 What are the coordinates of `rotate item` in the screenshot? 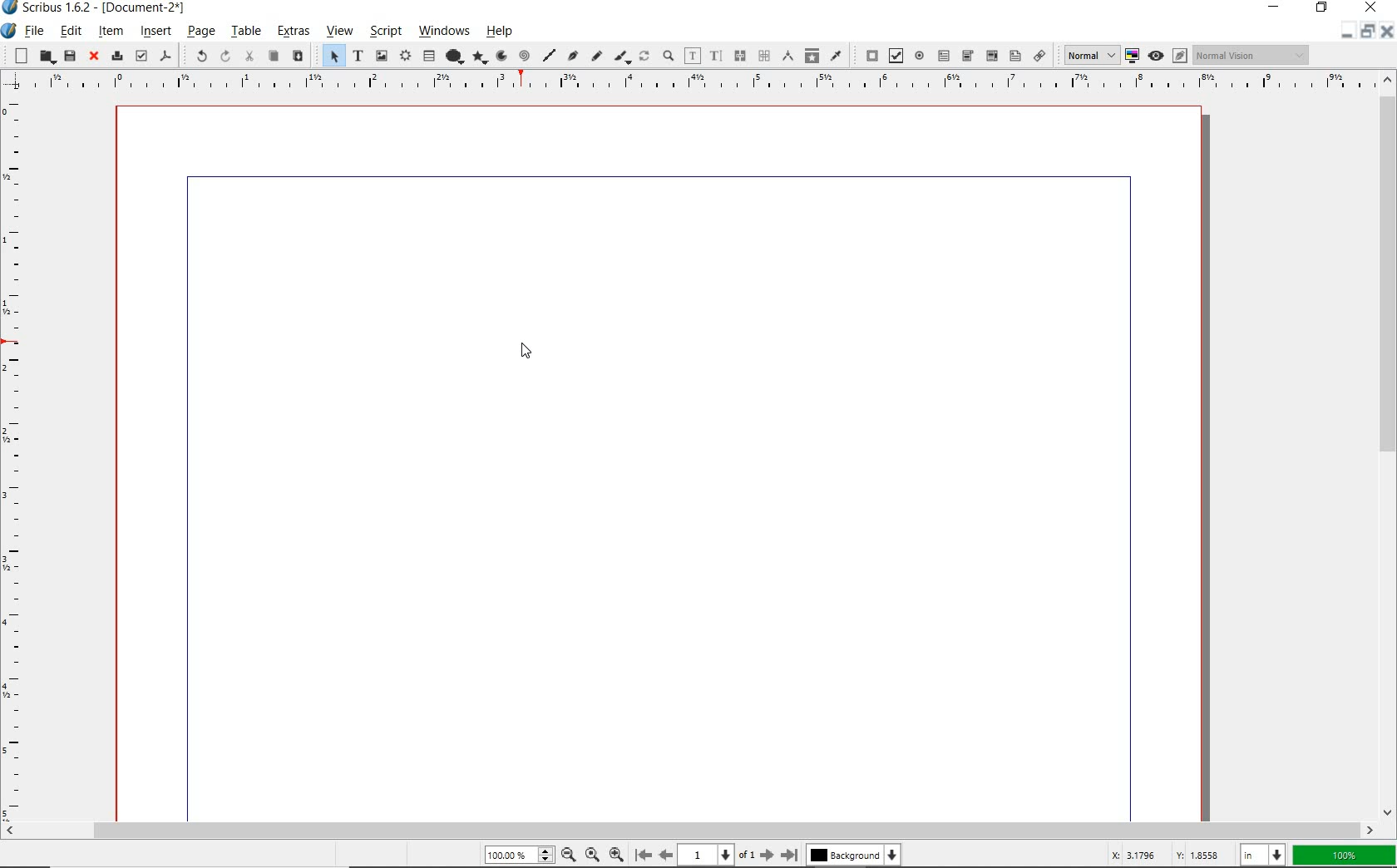 It's located at (645, 57).